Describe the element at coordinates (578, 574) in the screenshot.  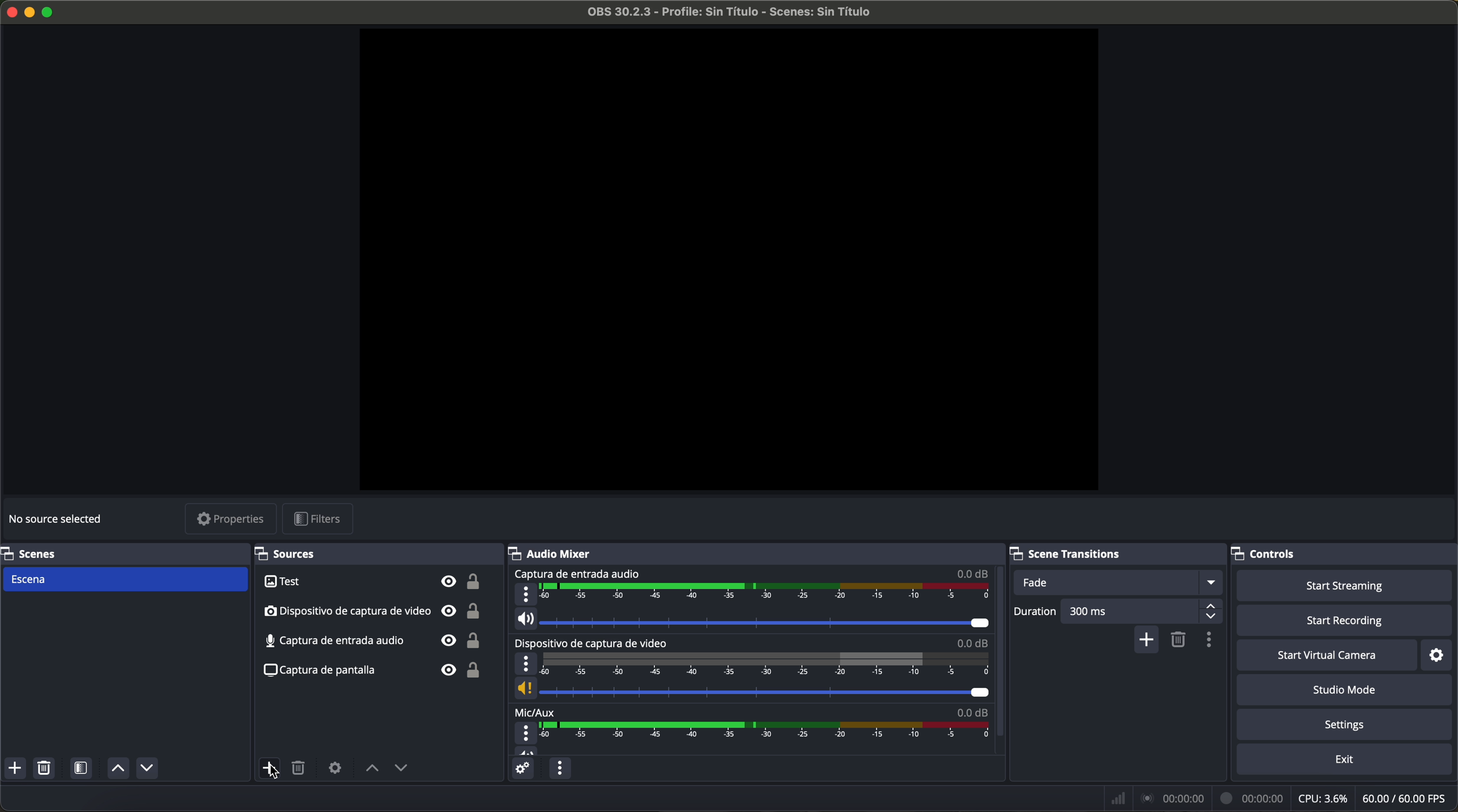
I see `audio input capture` at that location.